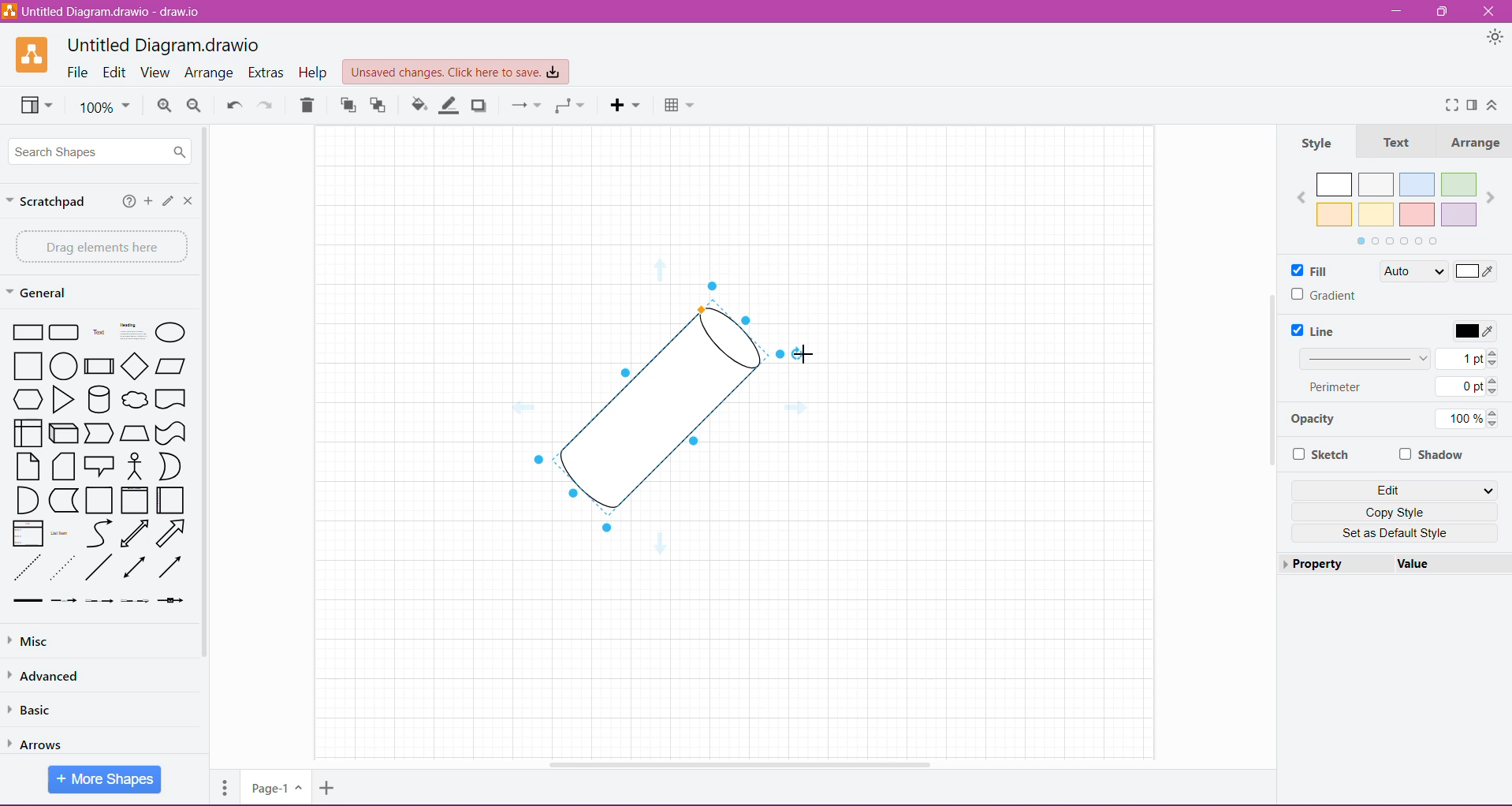 The image size is (1512, 806). I want to click on Vertical Scroll Bar, so click(1270, 378).